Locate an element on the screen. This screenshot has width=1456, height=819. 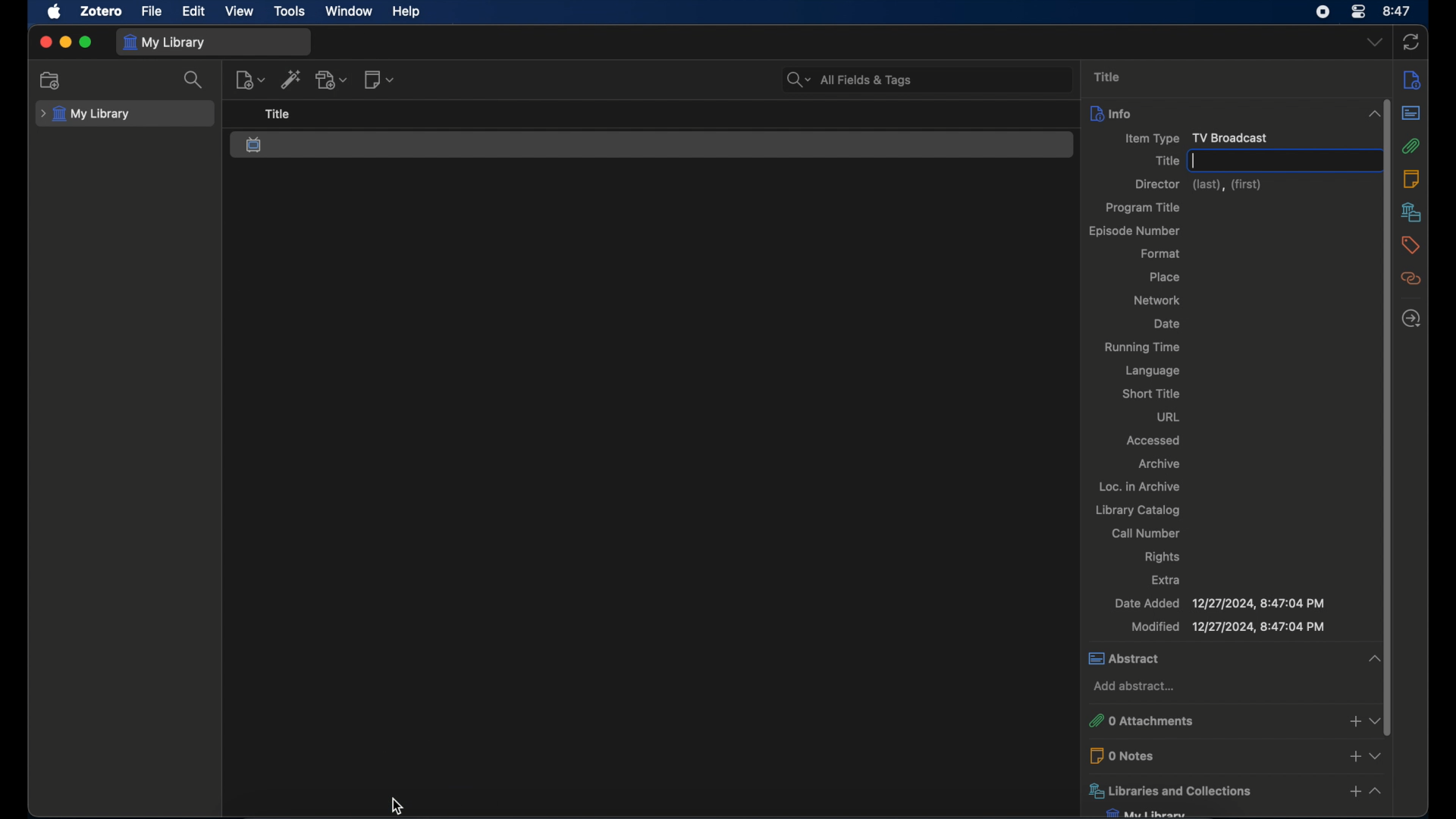
cursor is located at coordinates (399, 802).